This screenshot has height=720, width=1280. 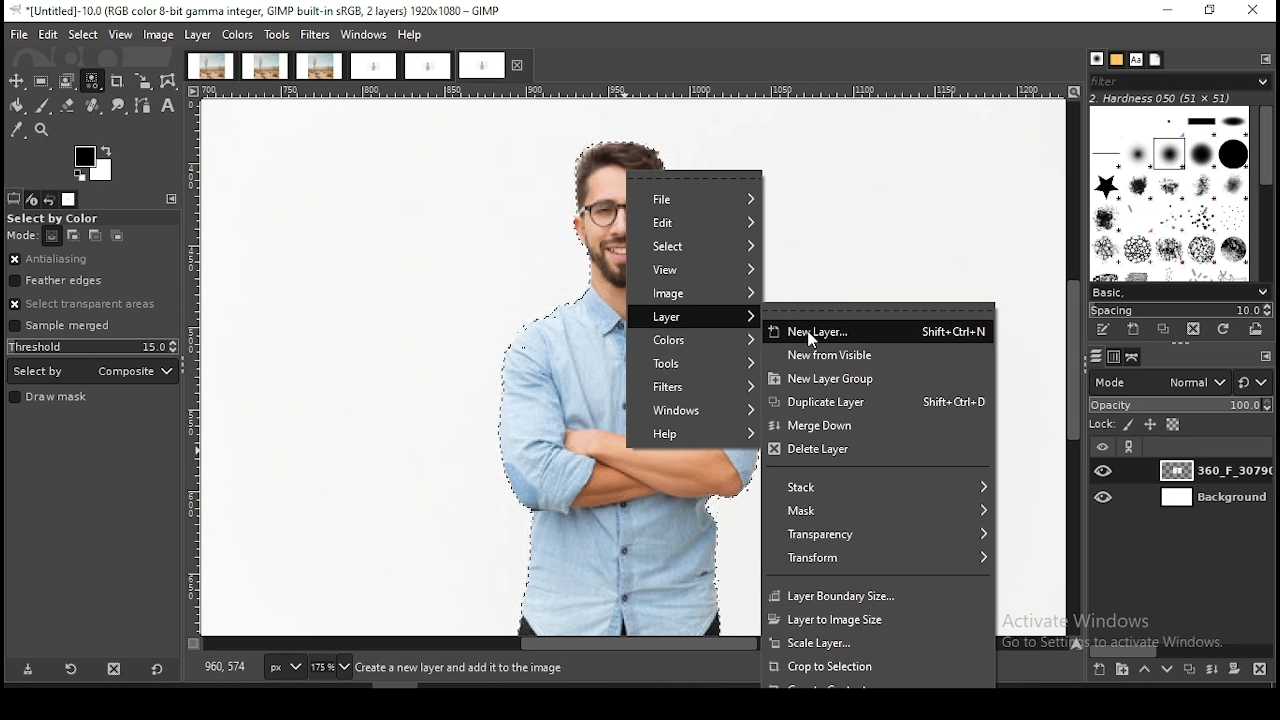 I want to click on select, so click(x=85, y=34).